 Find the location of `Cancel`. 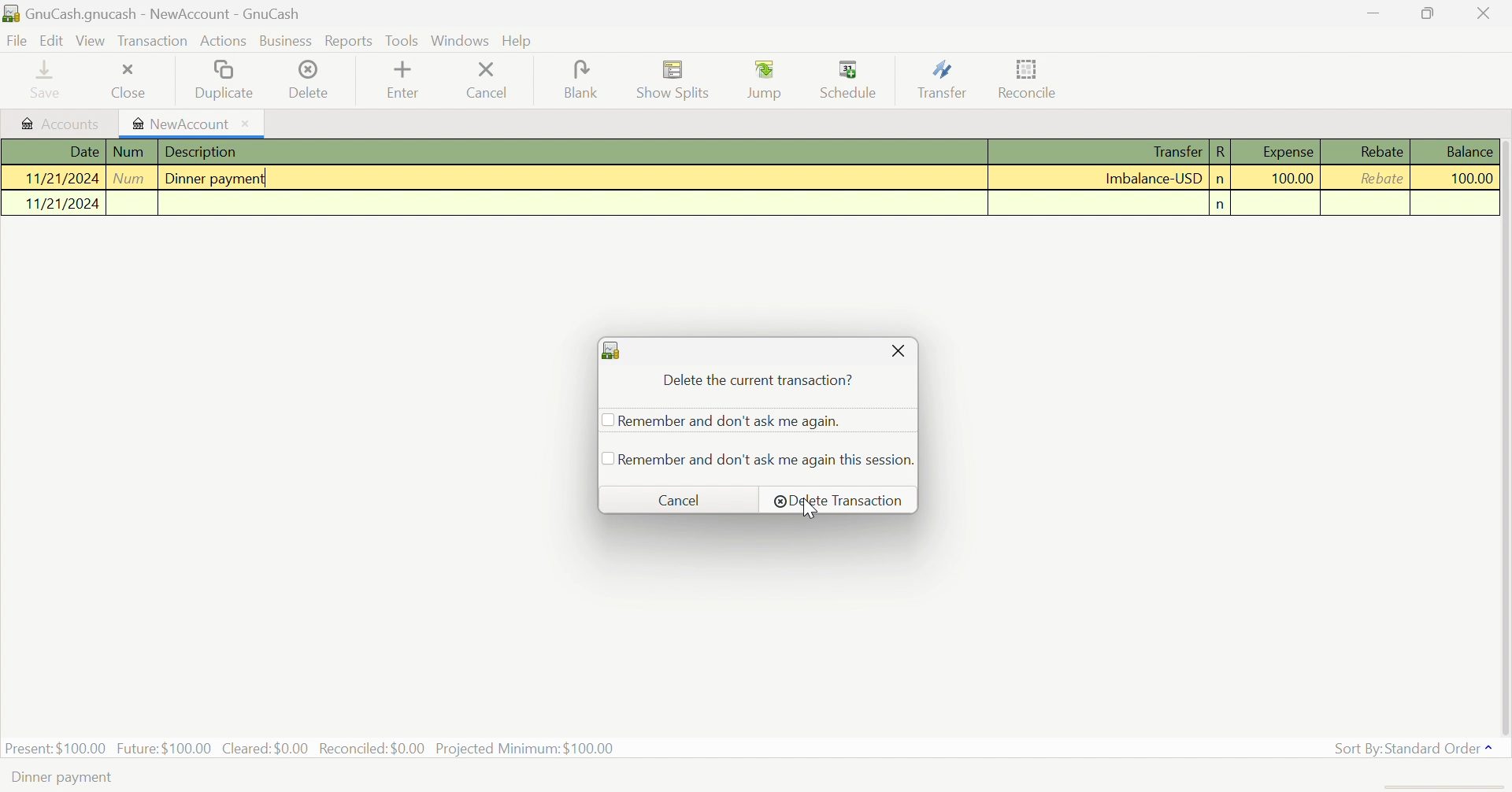

Cancel is located at coordinates (686, 499).